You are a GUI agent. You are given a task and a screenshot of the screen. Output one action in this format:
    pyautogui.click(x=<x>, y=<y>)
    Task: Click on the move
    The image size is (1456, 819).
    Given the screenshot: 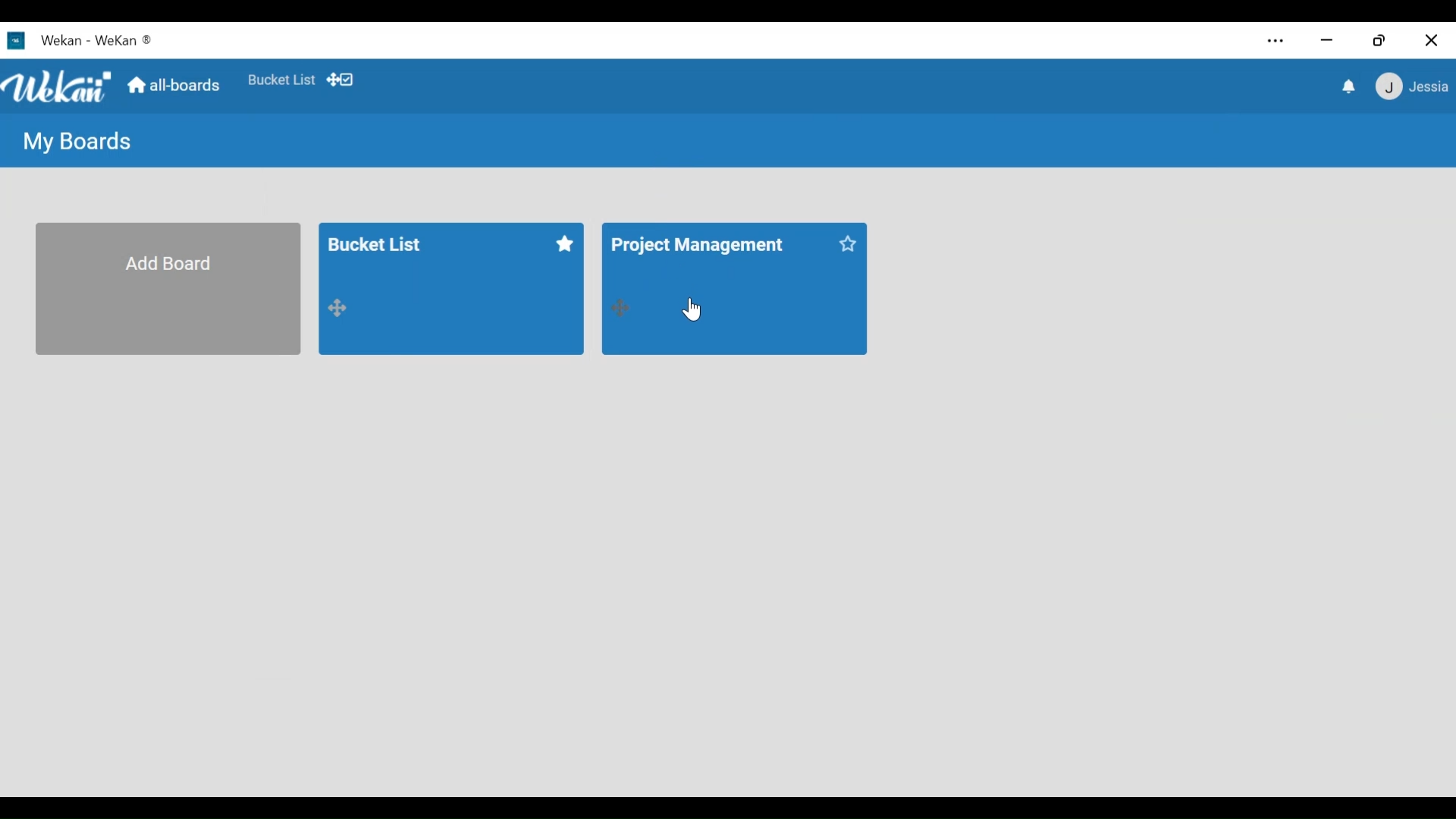 What is the action you would take?
    pyautogui.click(x=340, y=306)
    